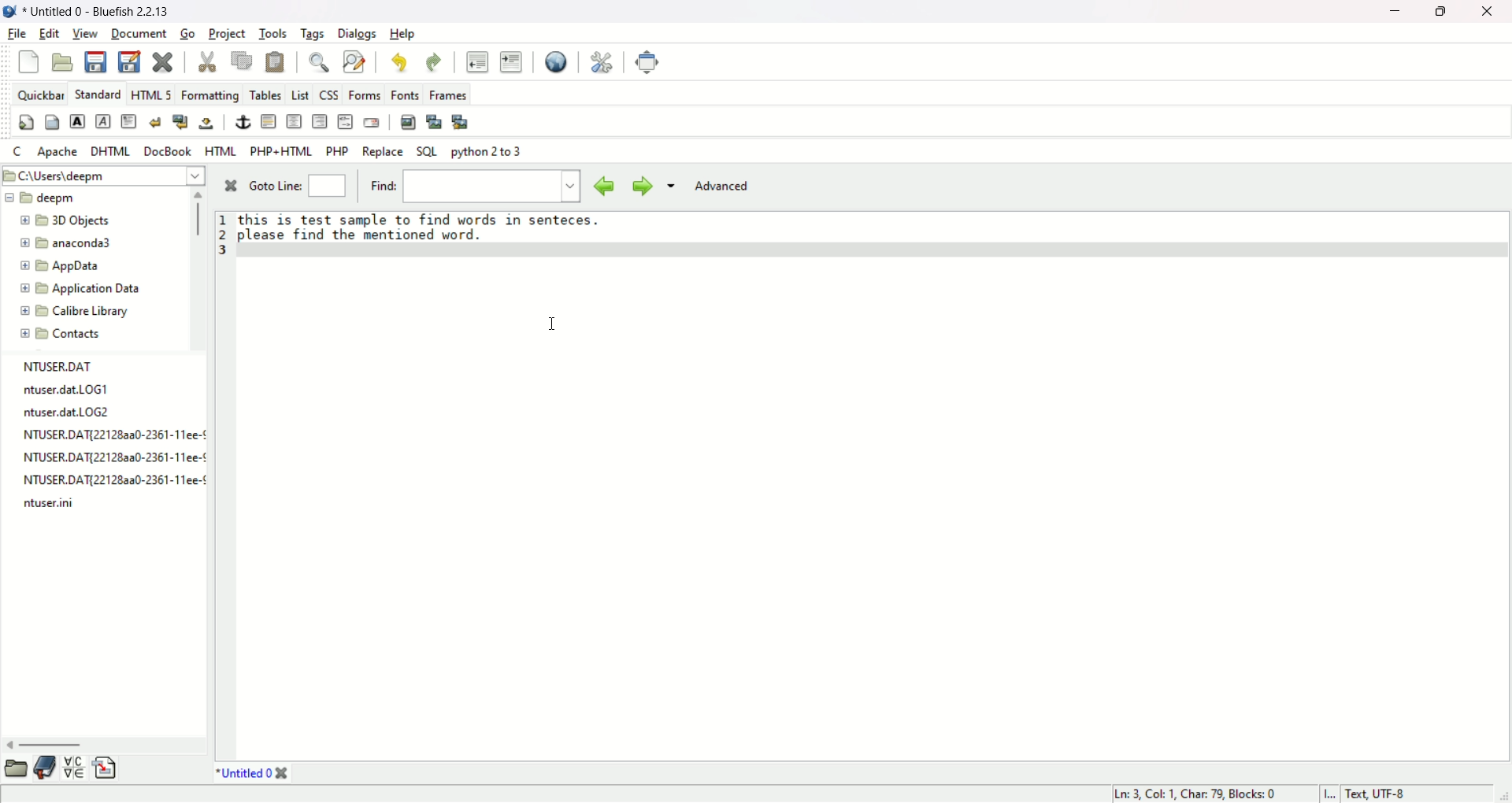 The width and height of the screenshot is (1512, 803). I want to click on insert character, so click(72, 768).